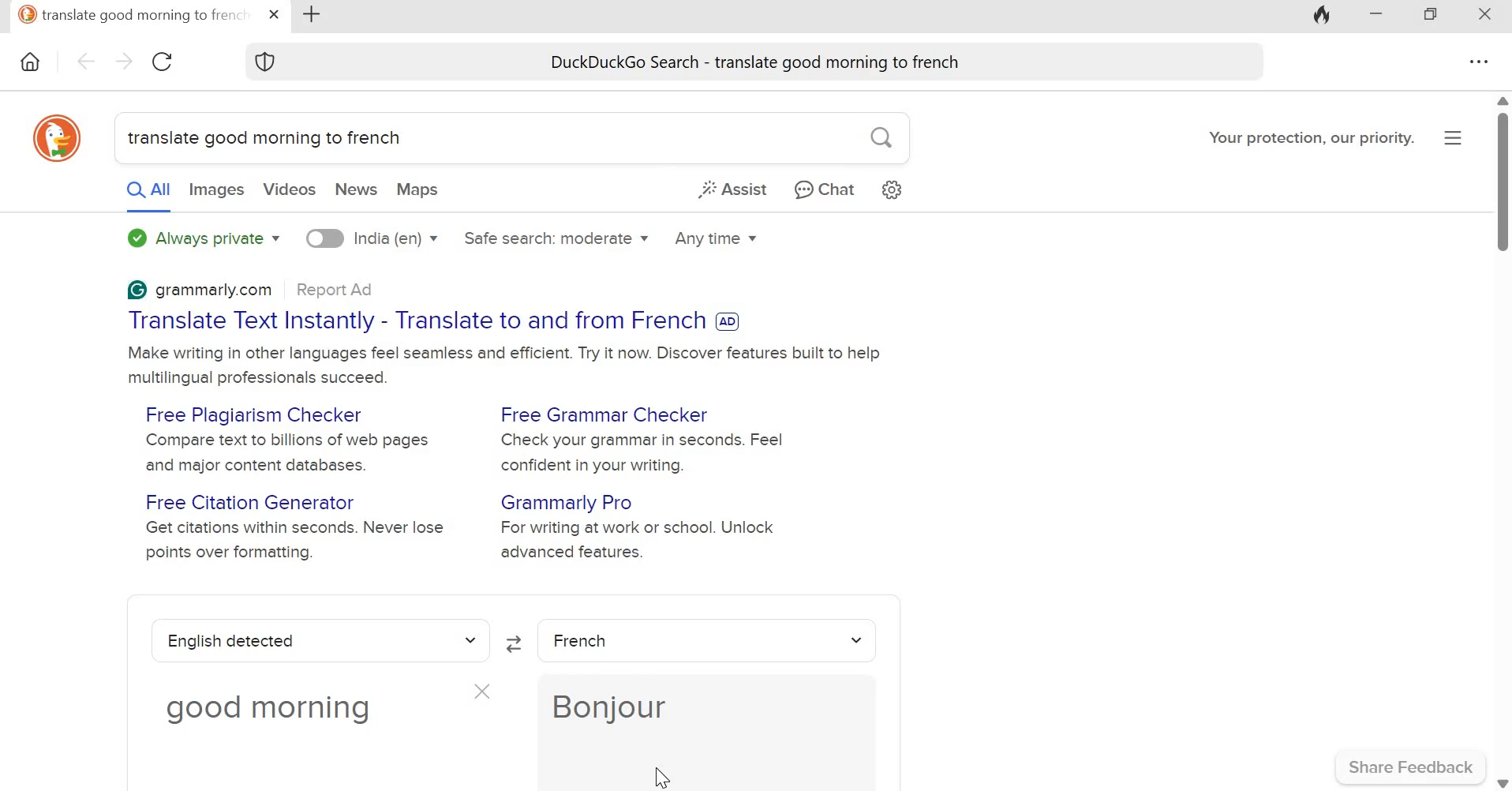 This screenshot has width=1512, height=791. What do you see at coordinates (355, 190) in the screenshot?
I see `News` at bounding box center [355, 190].